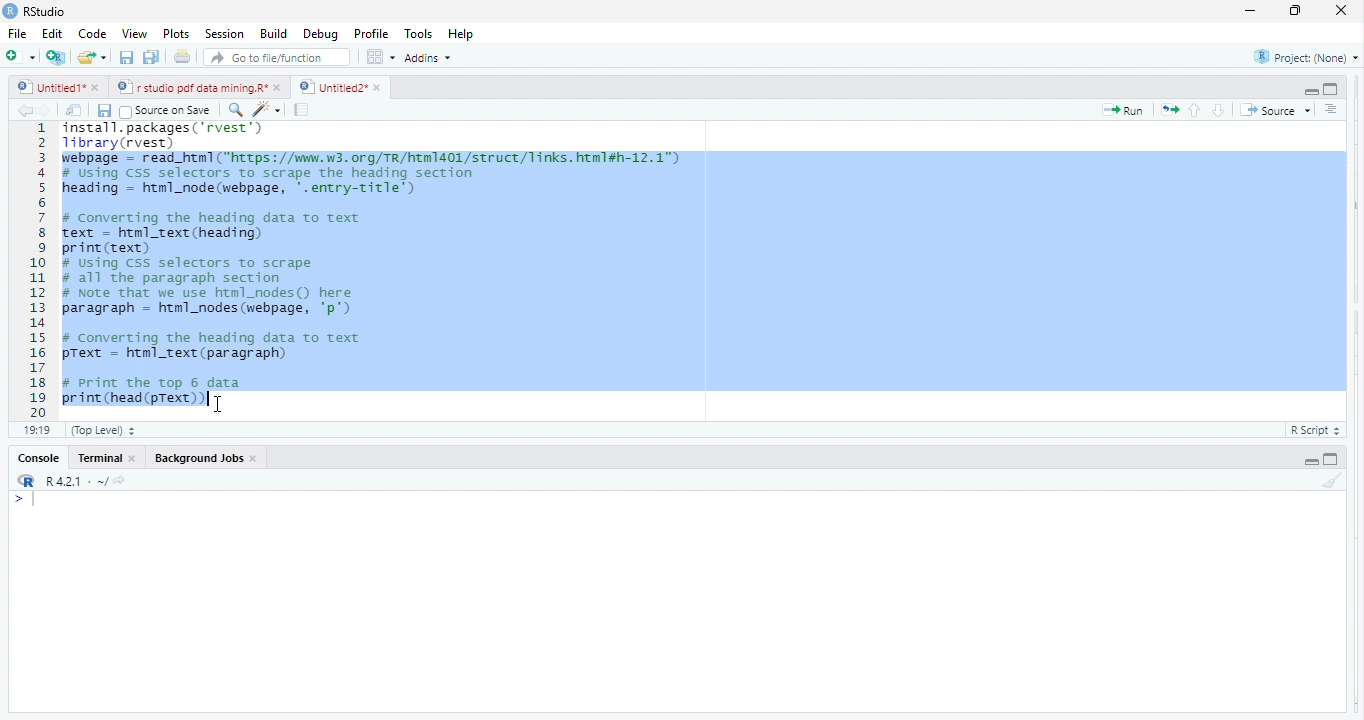 The width and height of the screenshot is (1364, 720). Describe the element at coordinates (1335, 10) in the screenshot. I see `close` at that location.